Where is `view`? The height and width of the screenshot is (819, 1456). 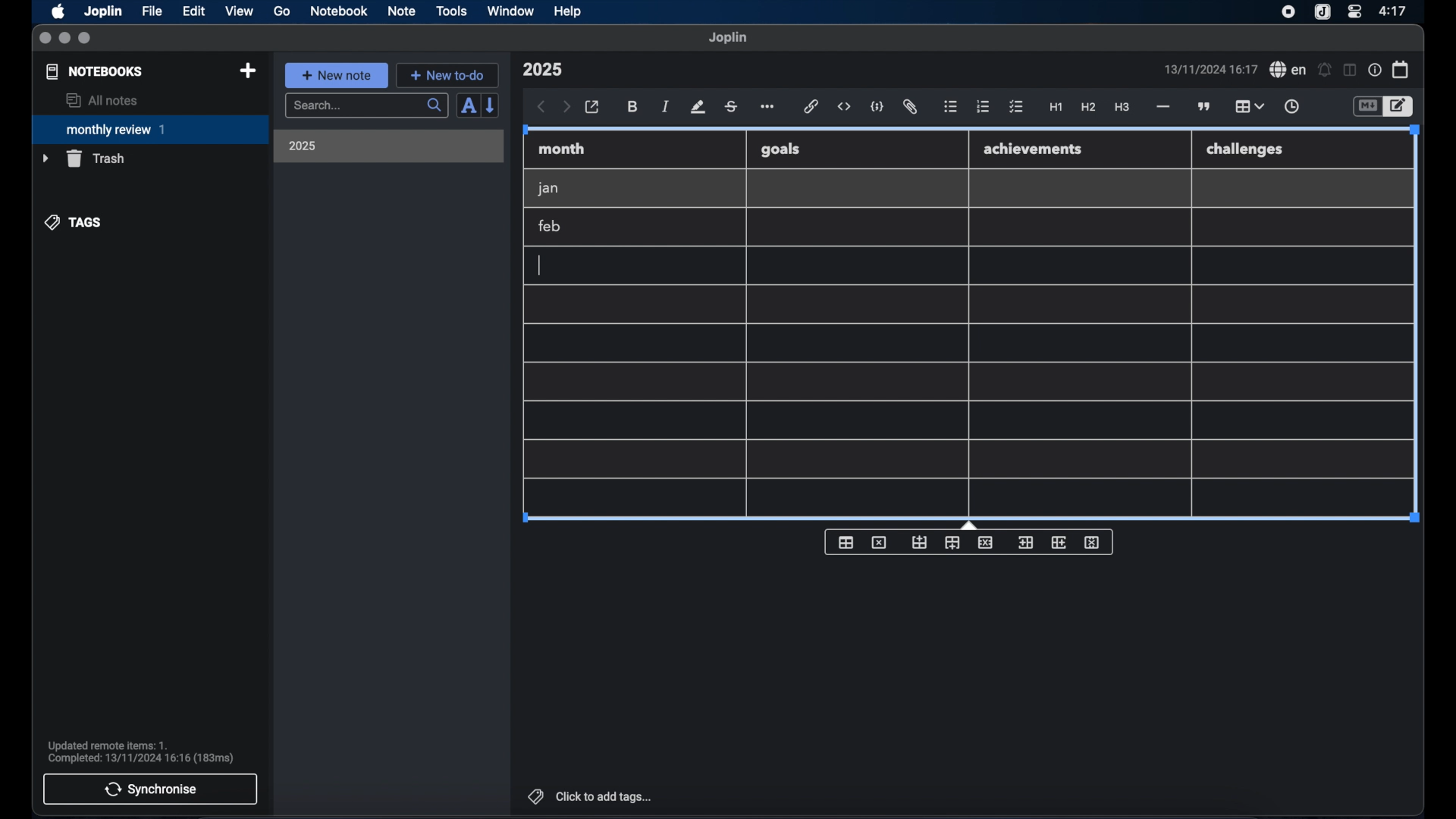
view is located at coordinates (239, 11).